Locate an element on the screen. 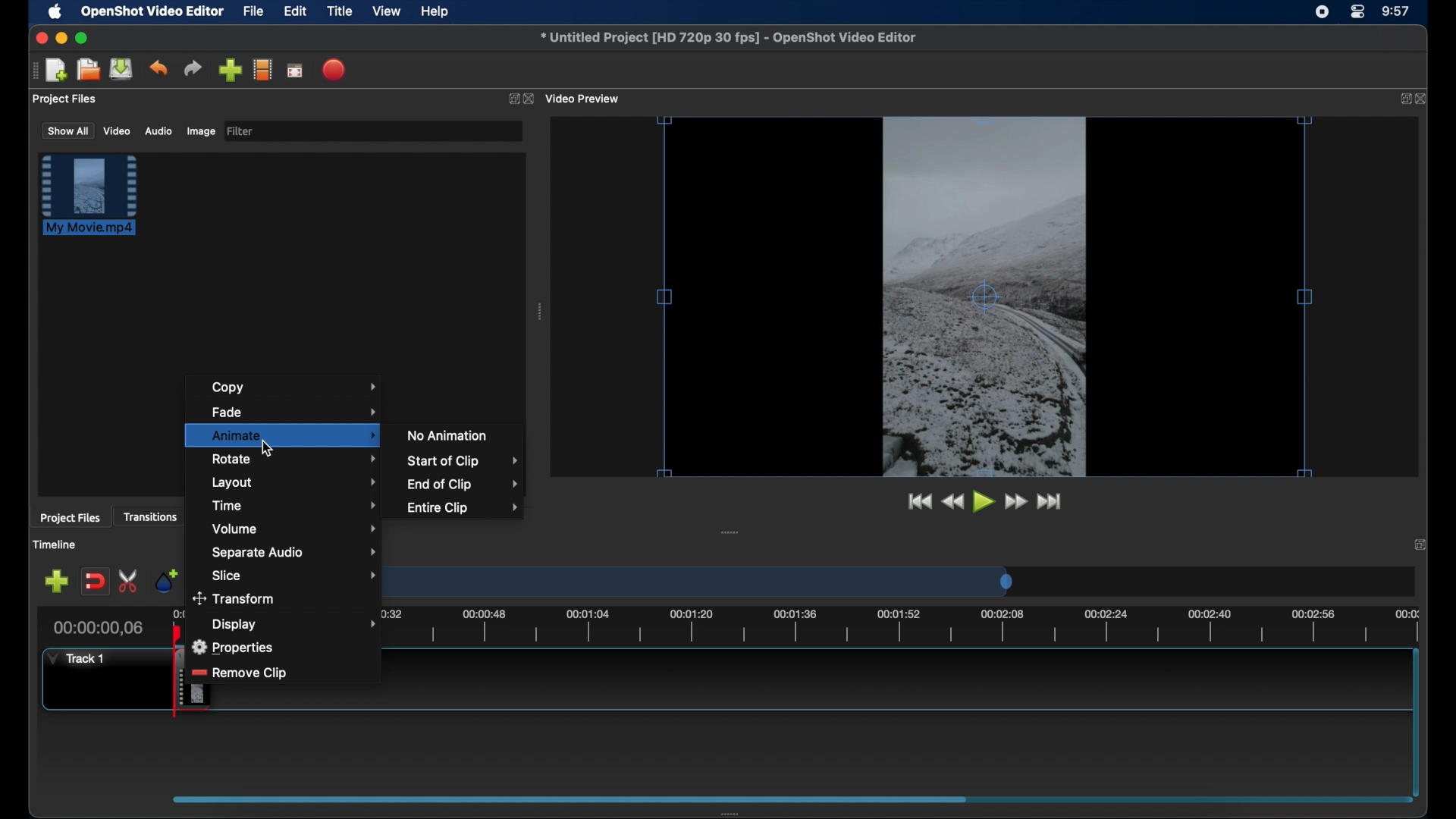  timeline scale is located at coordinates (916, 626).